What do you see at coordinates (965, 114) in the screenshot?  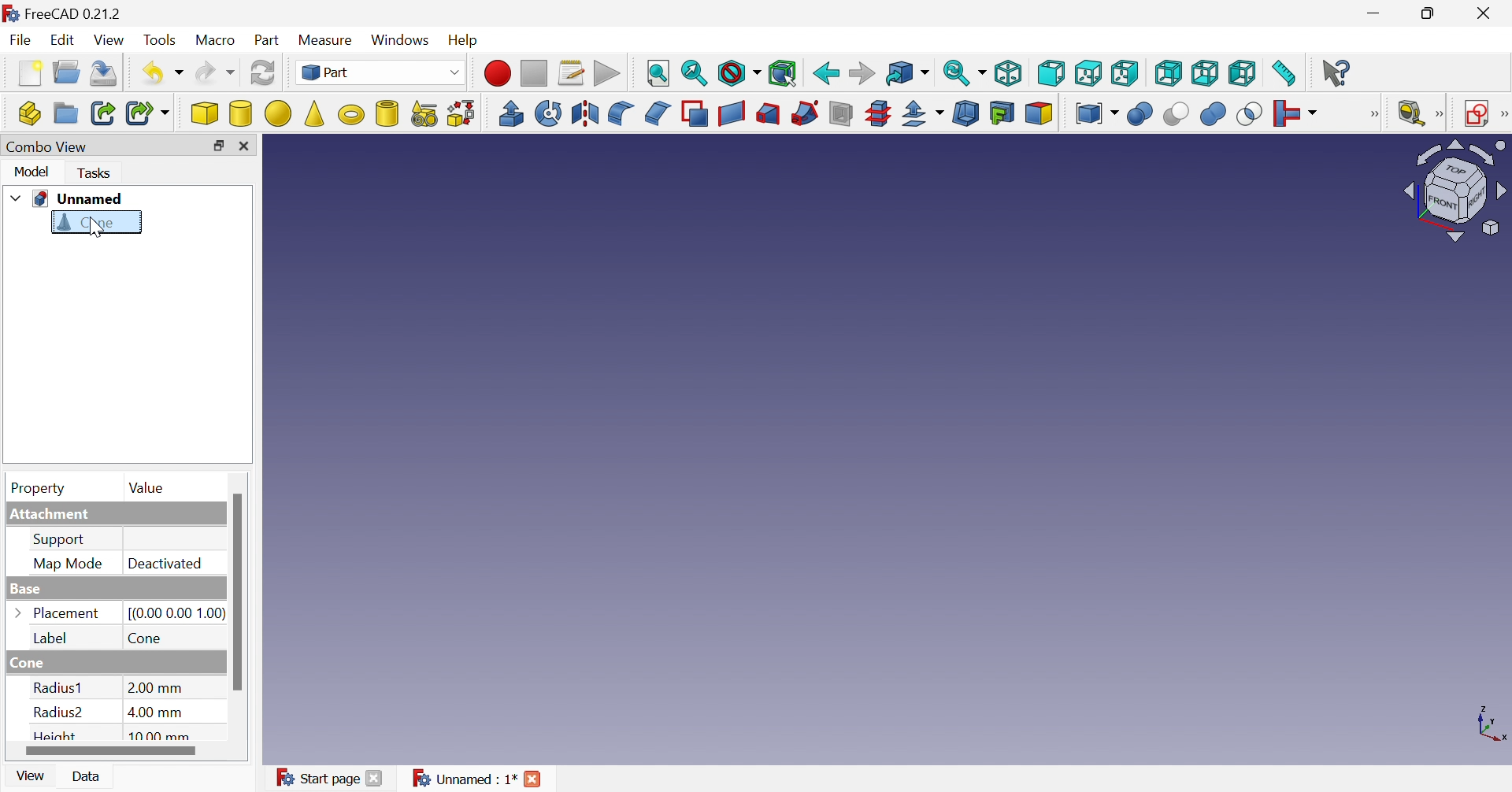 I see `Thickness` at bounding box center [965, 114].